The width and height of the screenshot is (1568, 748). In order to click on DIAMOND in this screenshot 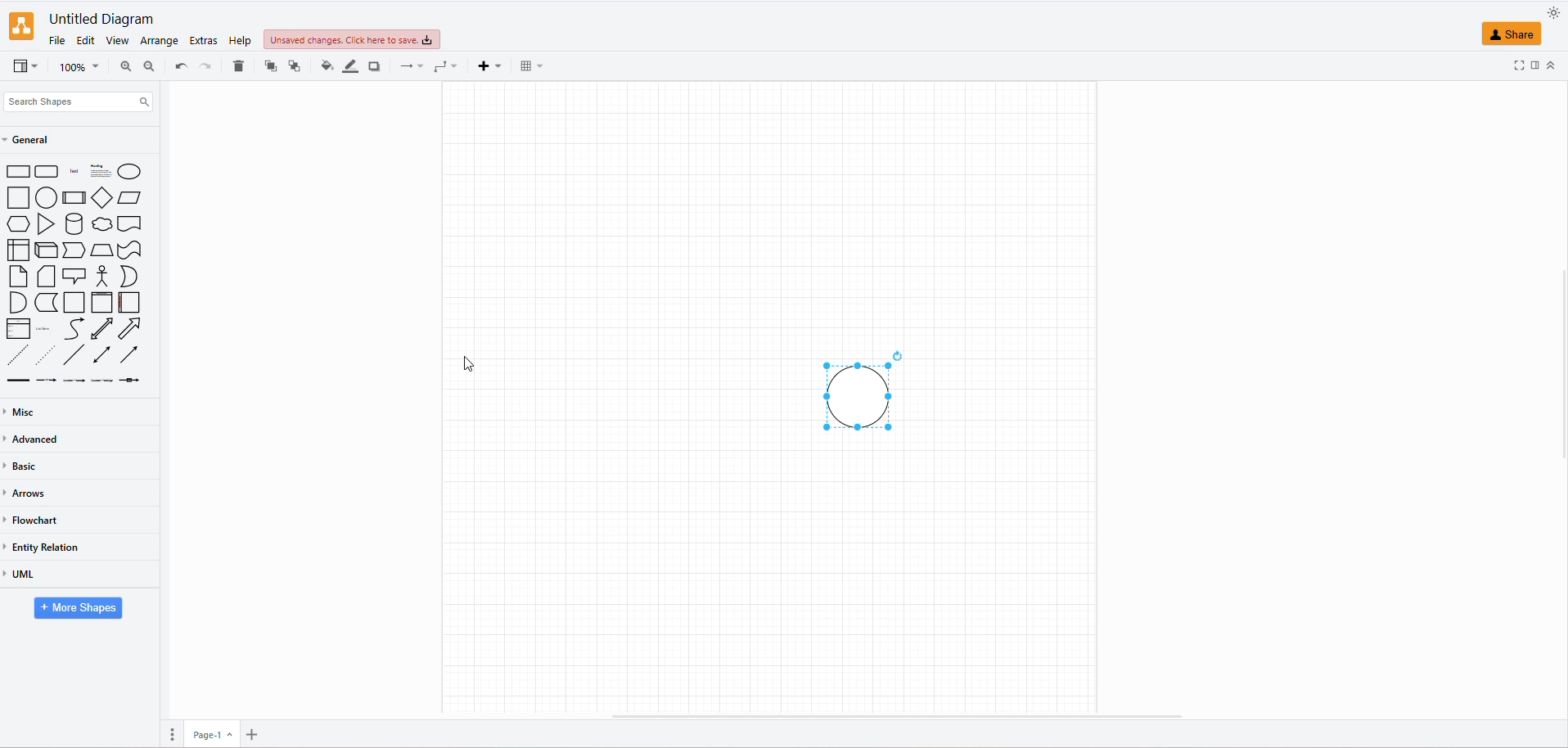, I will do `click(100, 198)`.